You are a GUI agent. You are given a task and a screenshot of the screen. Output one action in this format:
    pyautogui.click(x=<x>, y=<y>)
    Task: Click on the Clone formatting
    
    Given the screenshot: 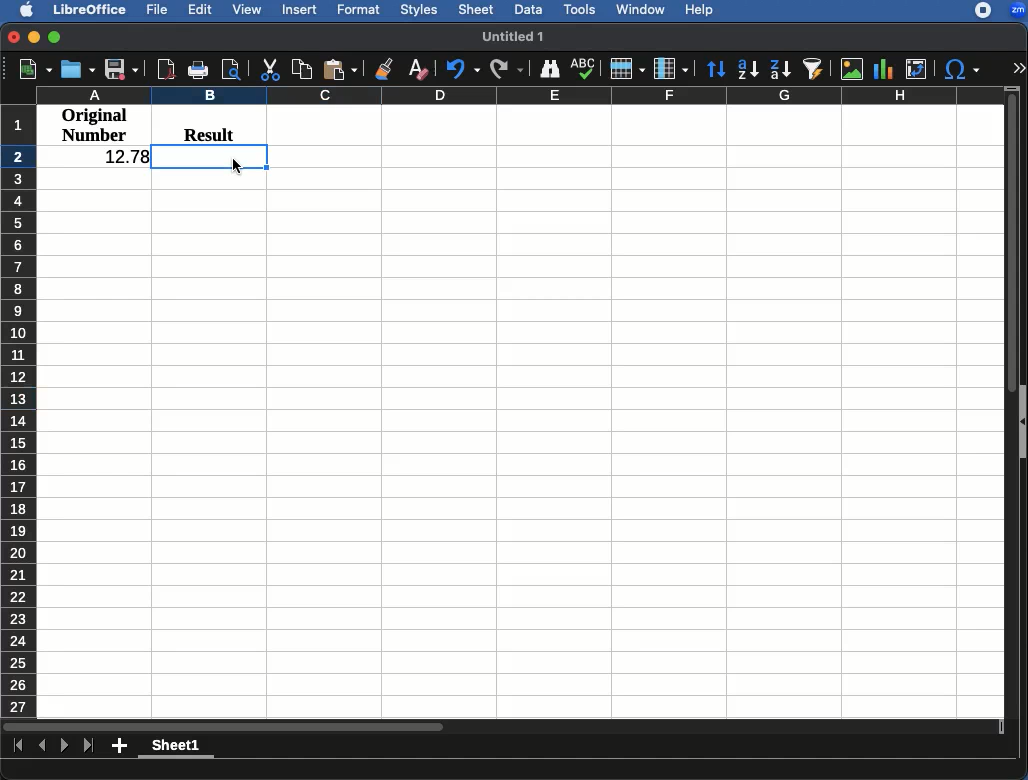 What is the action you would take?
    pyautogui.click(x=382, y=69)
    